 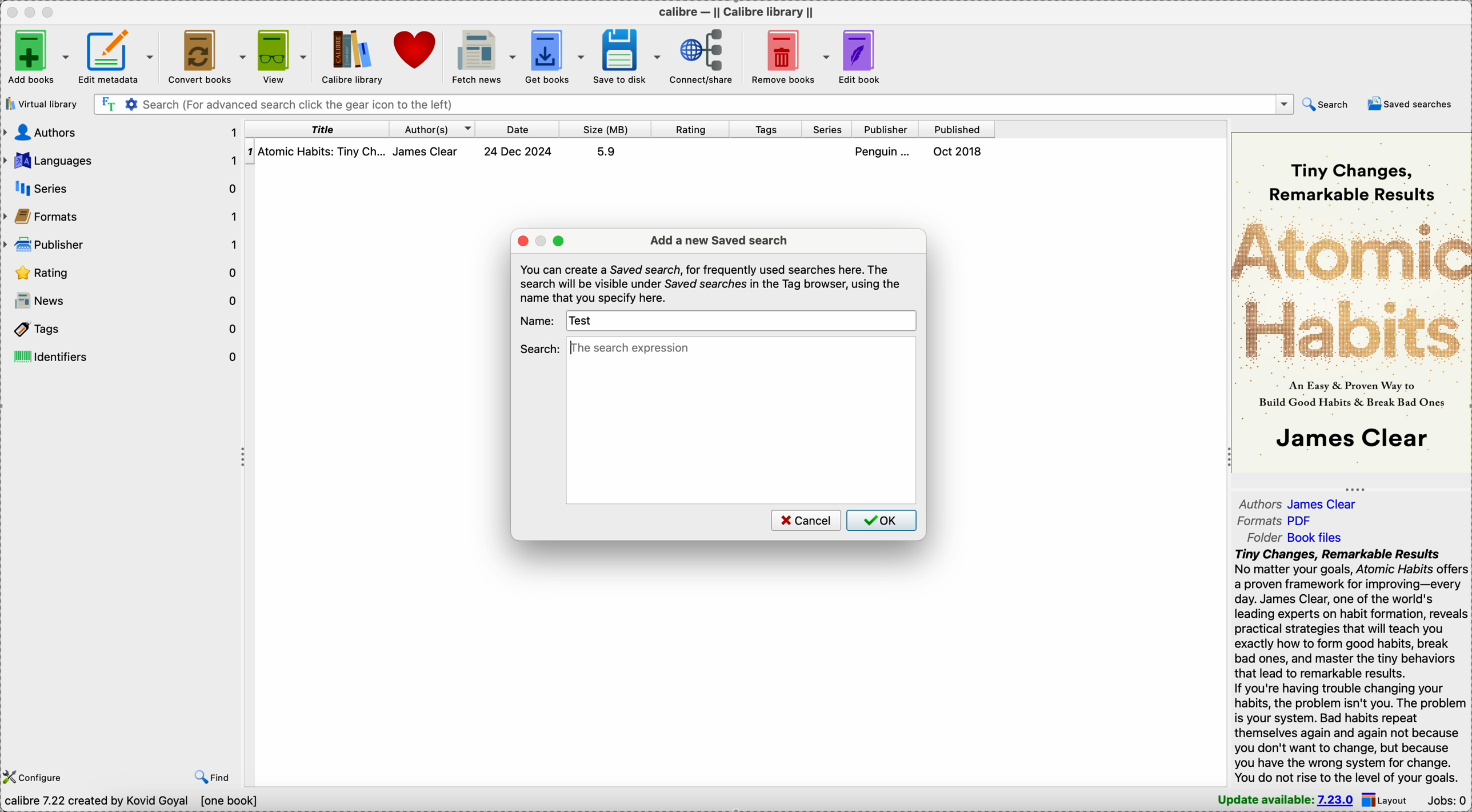 I want to click on minimize, so click(x=33, y=11).